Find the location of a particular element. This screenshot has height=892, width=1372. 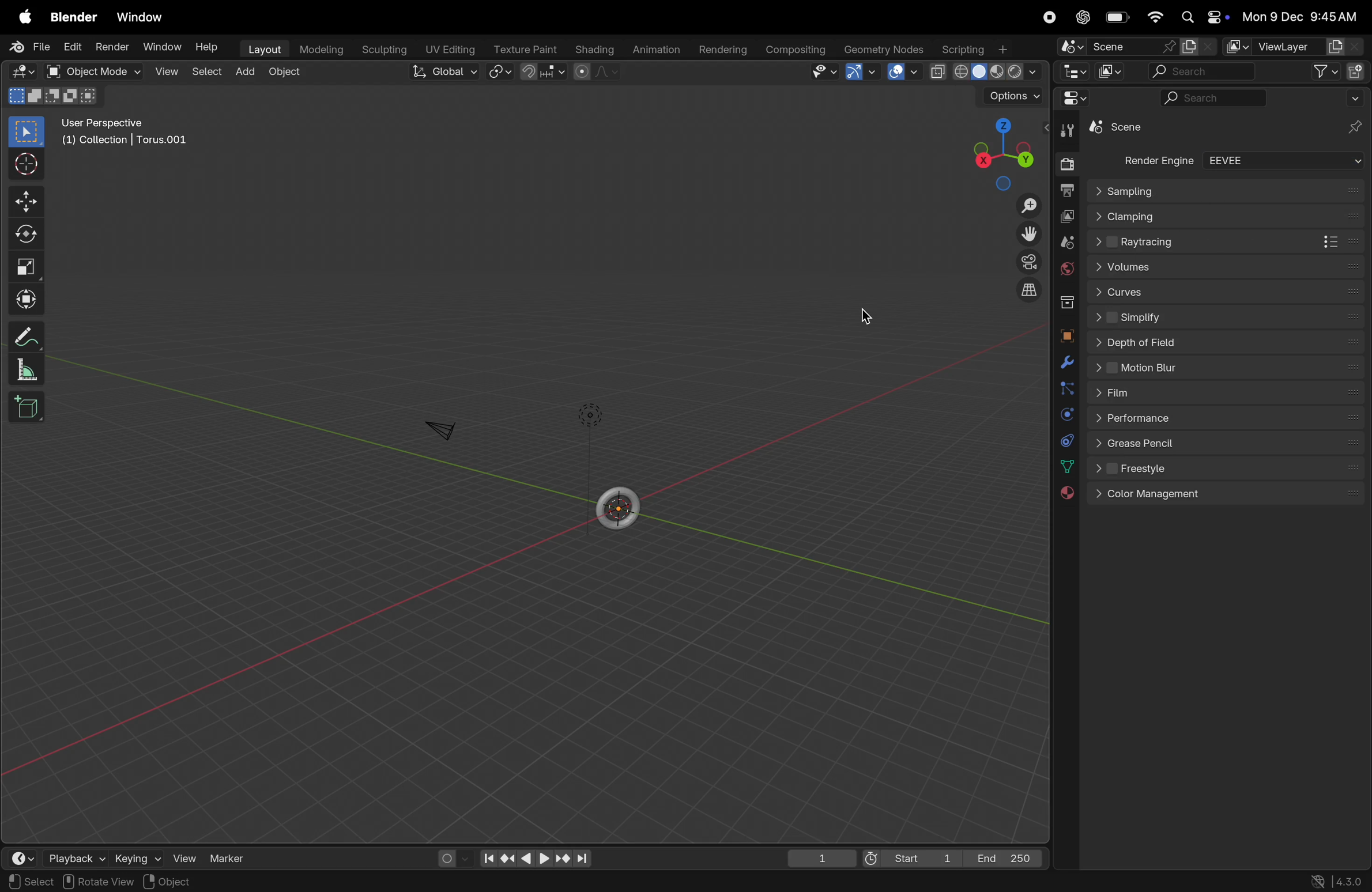

record is located at coordinates (1046, 18).